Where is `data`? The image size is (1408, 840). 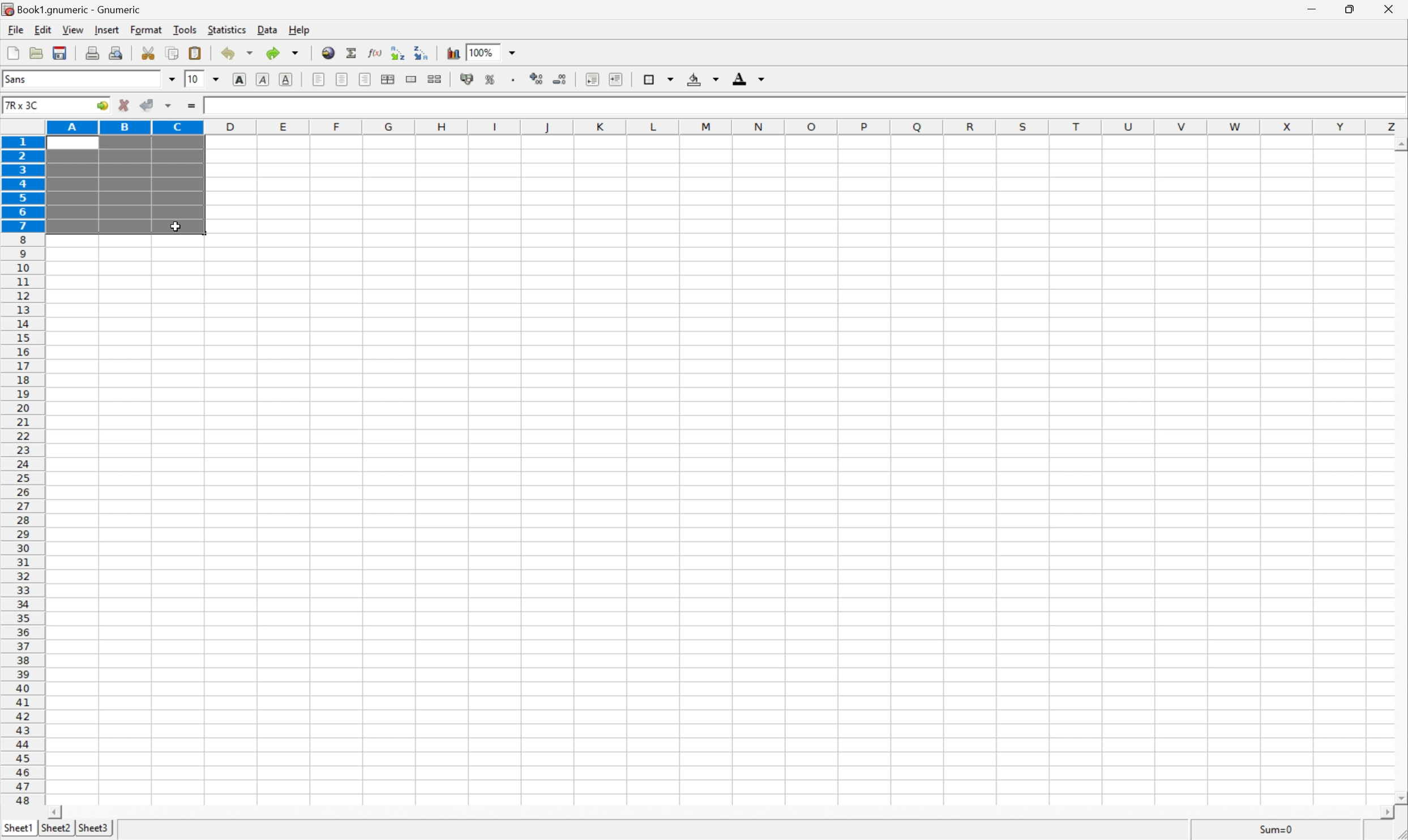
data is located at coordinates (265, 31).